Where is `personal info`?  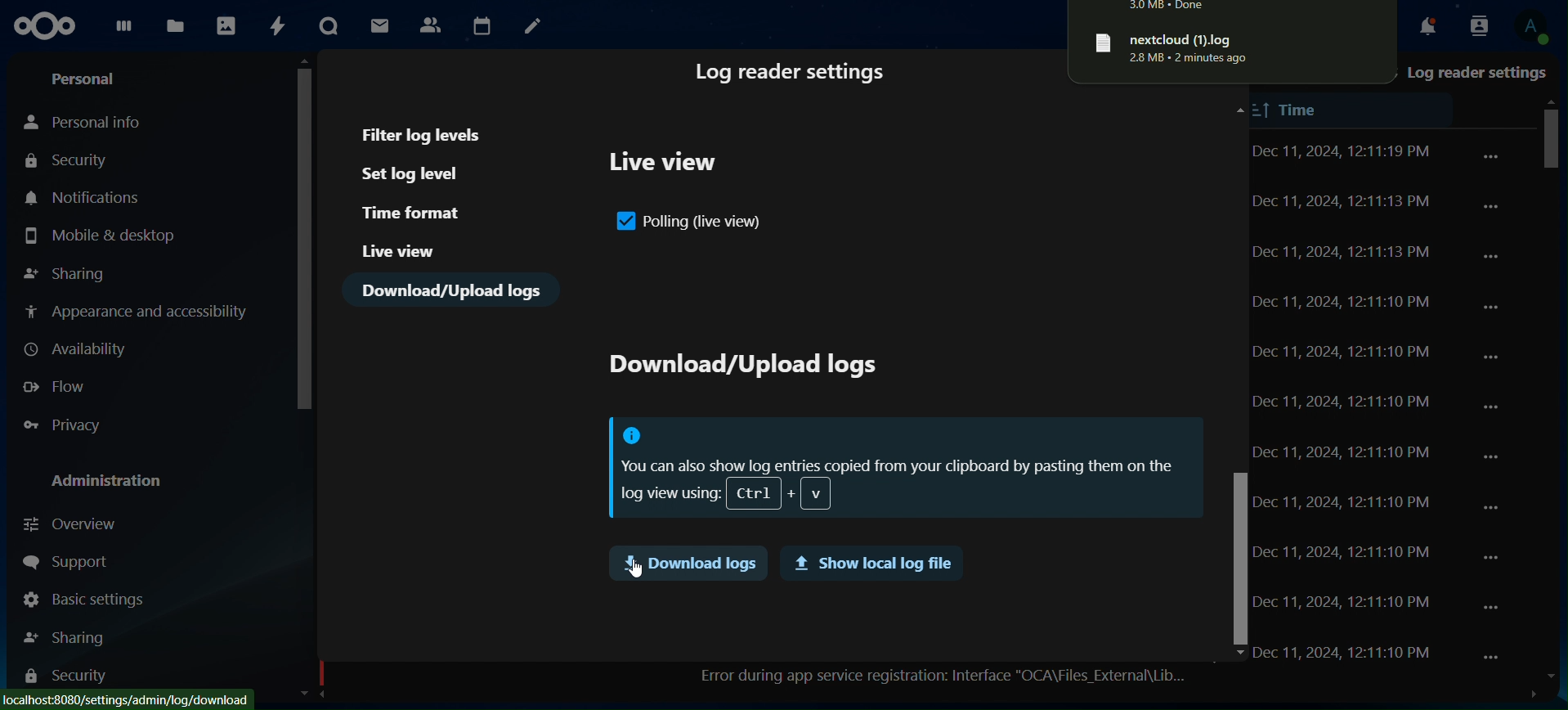
personal info is located at coordinates (89, 123).